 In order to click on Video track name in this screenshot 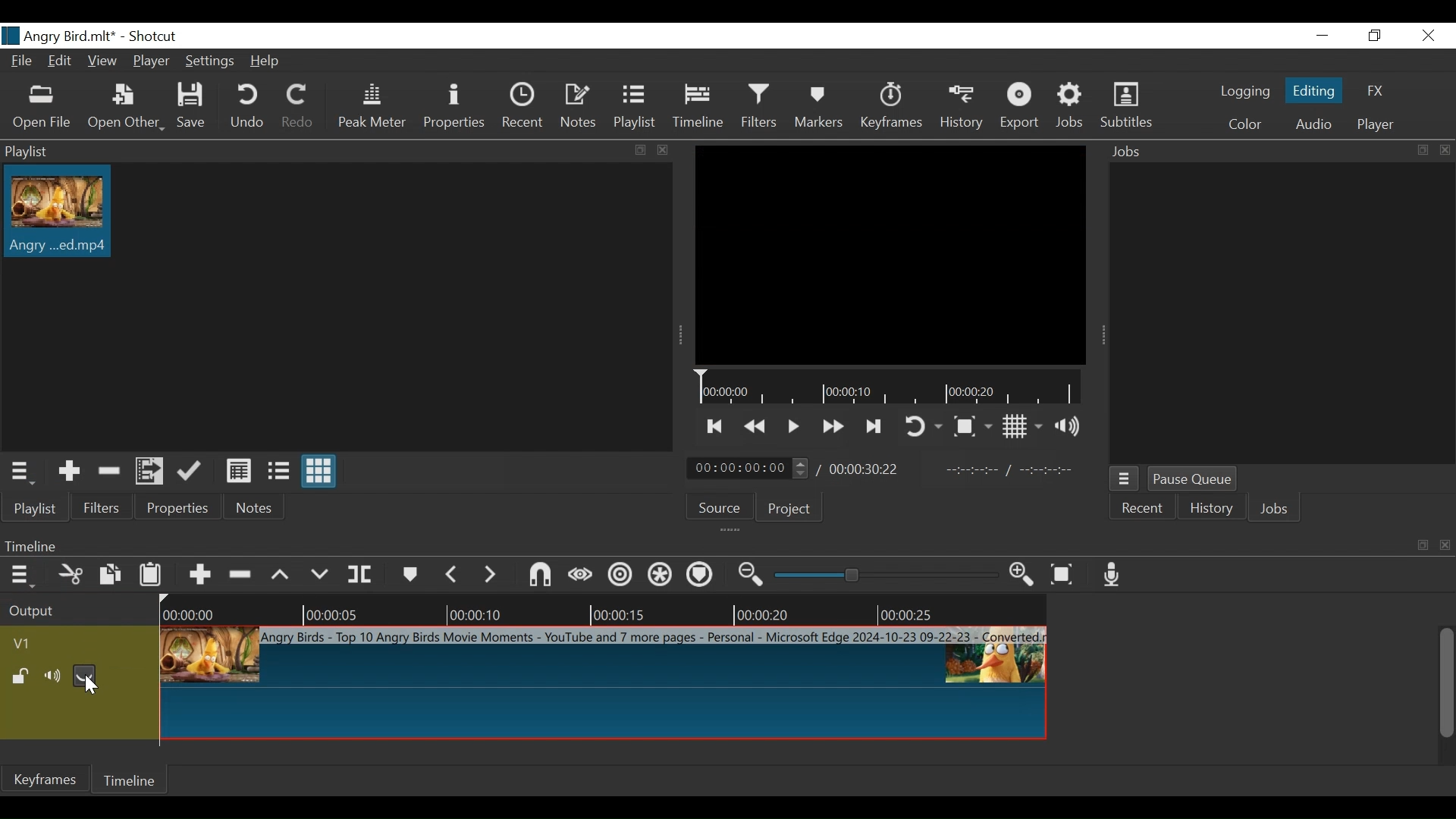, I will do `click(35, 643)`.